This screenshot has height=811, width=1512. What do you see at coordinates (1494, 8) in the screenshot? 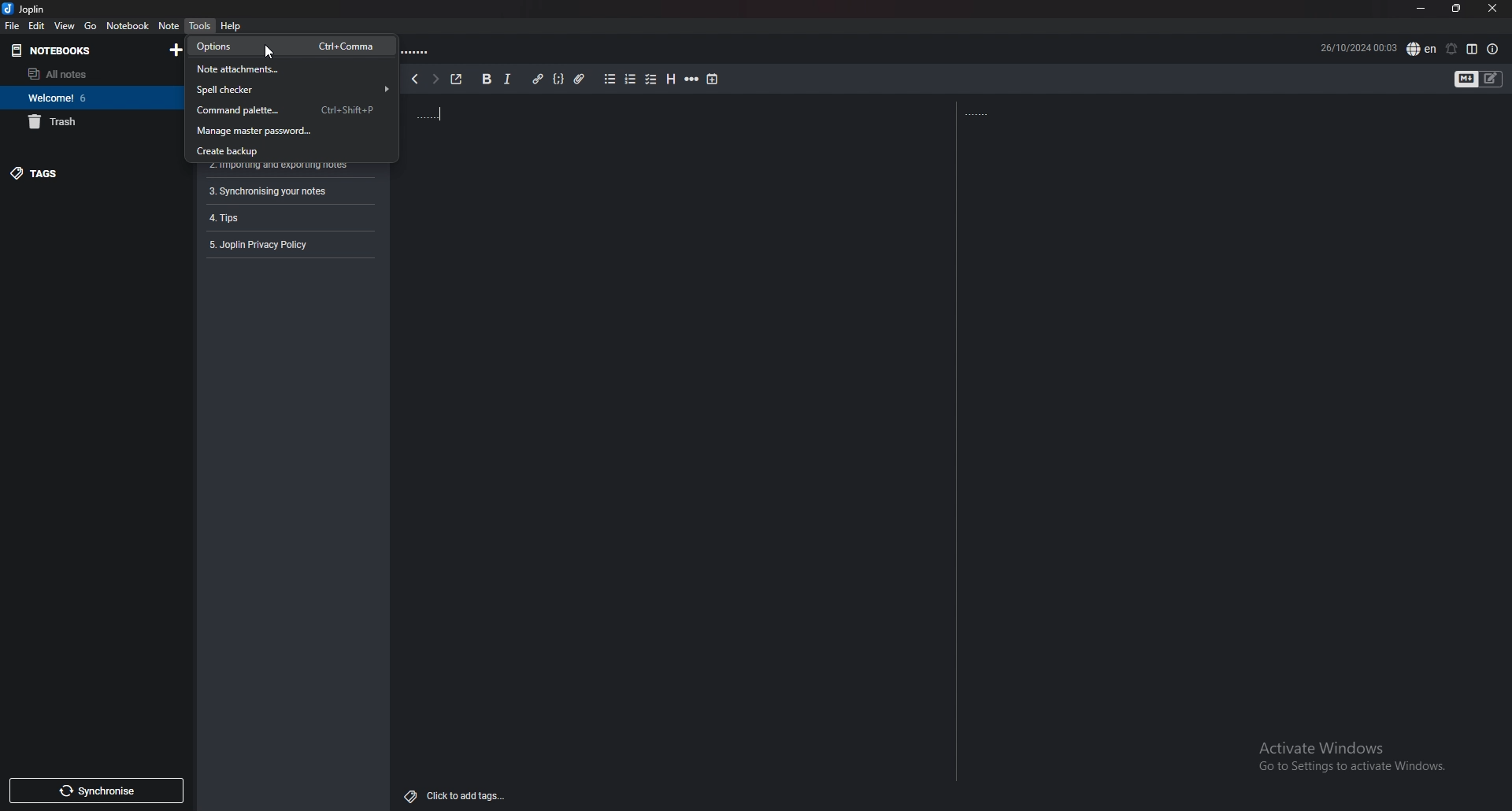
I see `close` at bounding box center [1494, 8].